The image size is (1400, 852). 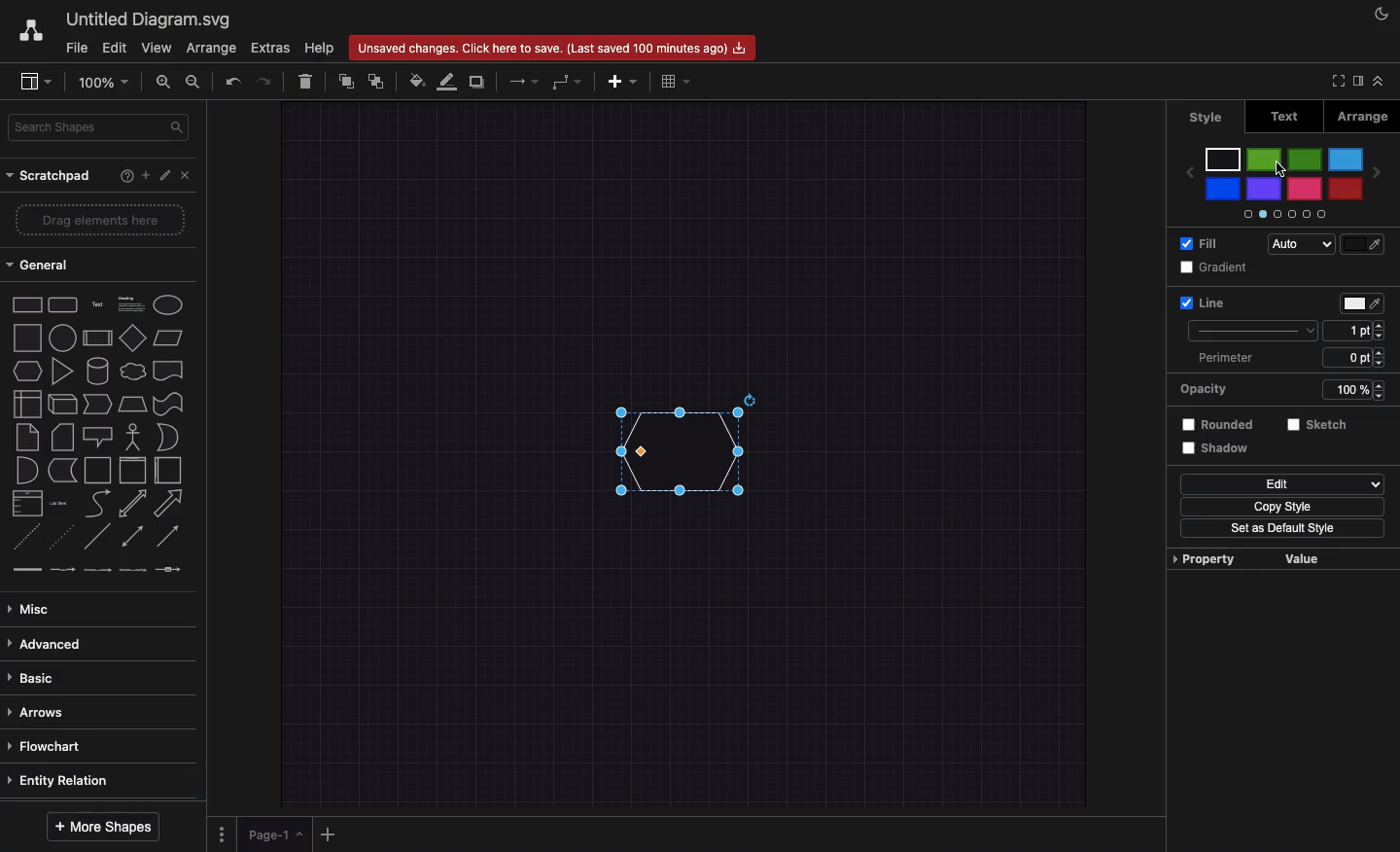 What do you see at coordinates (1290, 183) in the screenshot?
I see `Colors` at bounding box center [1290, 183].